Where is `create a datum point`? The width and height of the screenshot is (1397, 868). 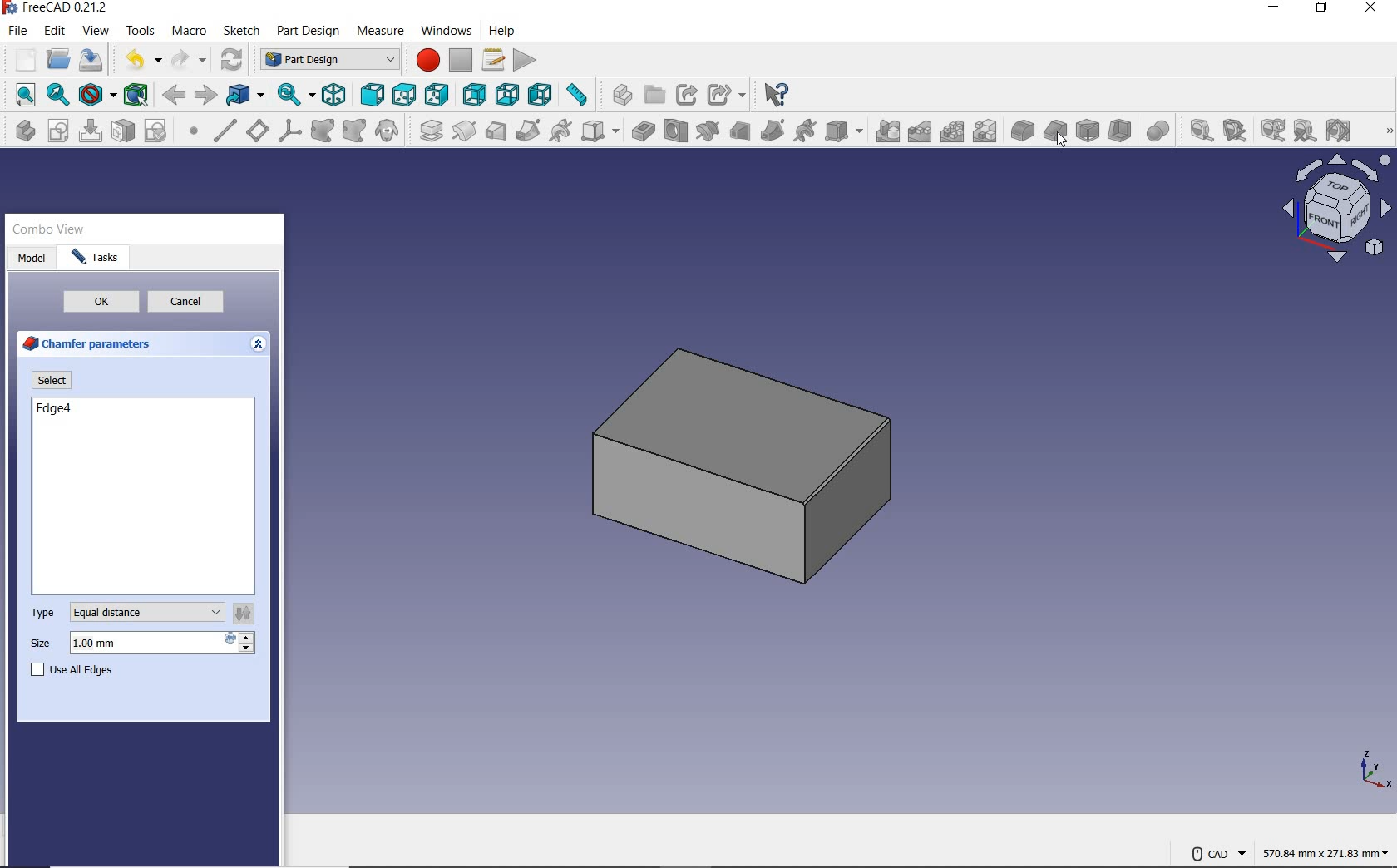 create a datum point is located at coordinates (194, 133).